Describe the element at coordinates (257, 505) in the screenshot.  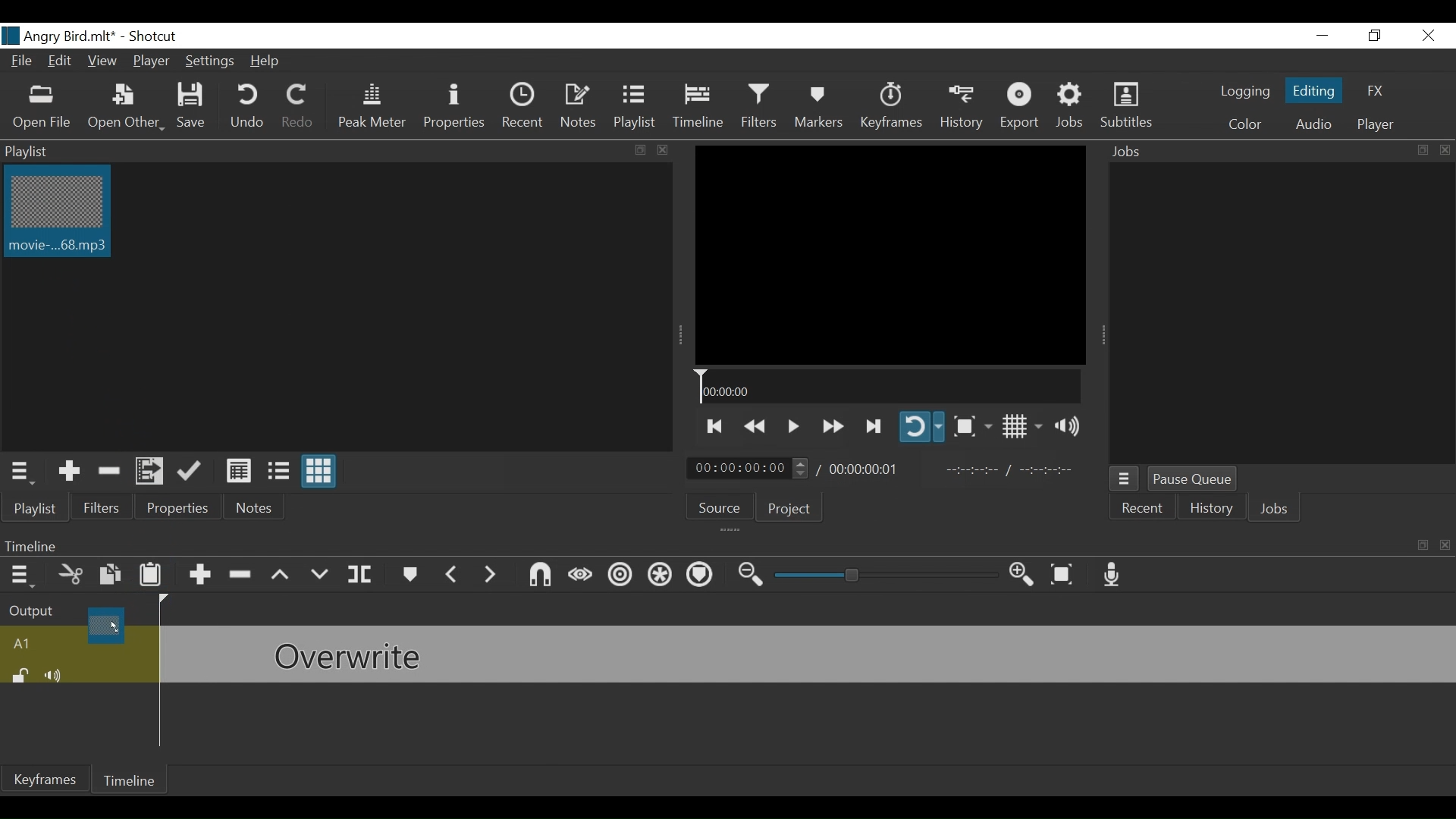
I see `Notes` at that location.